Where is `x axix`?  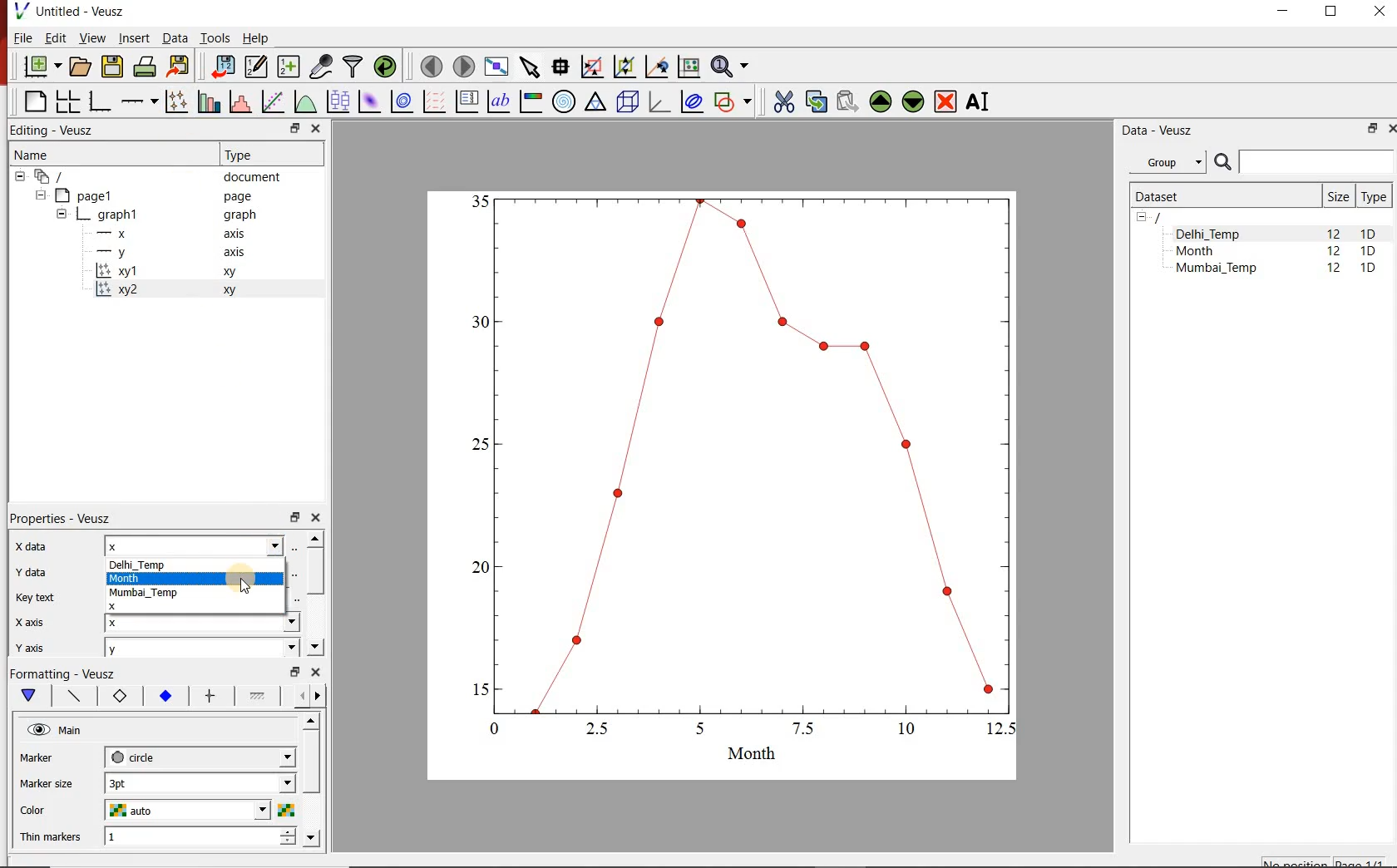 x axix is located at coordinates (26, 620).